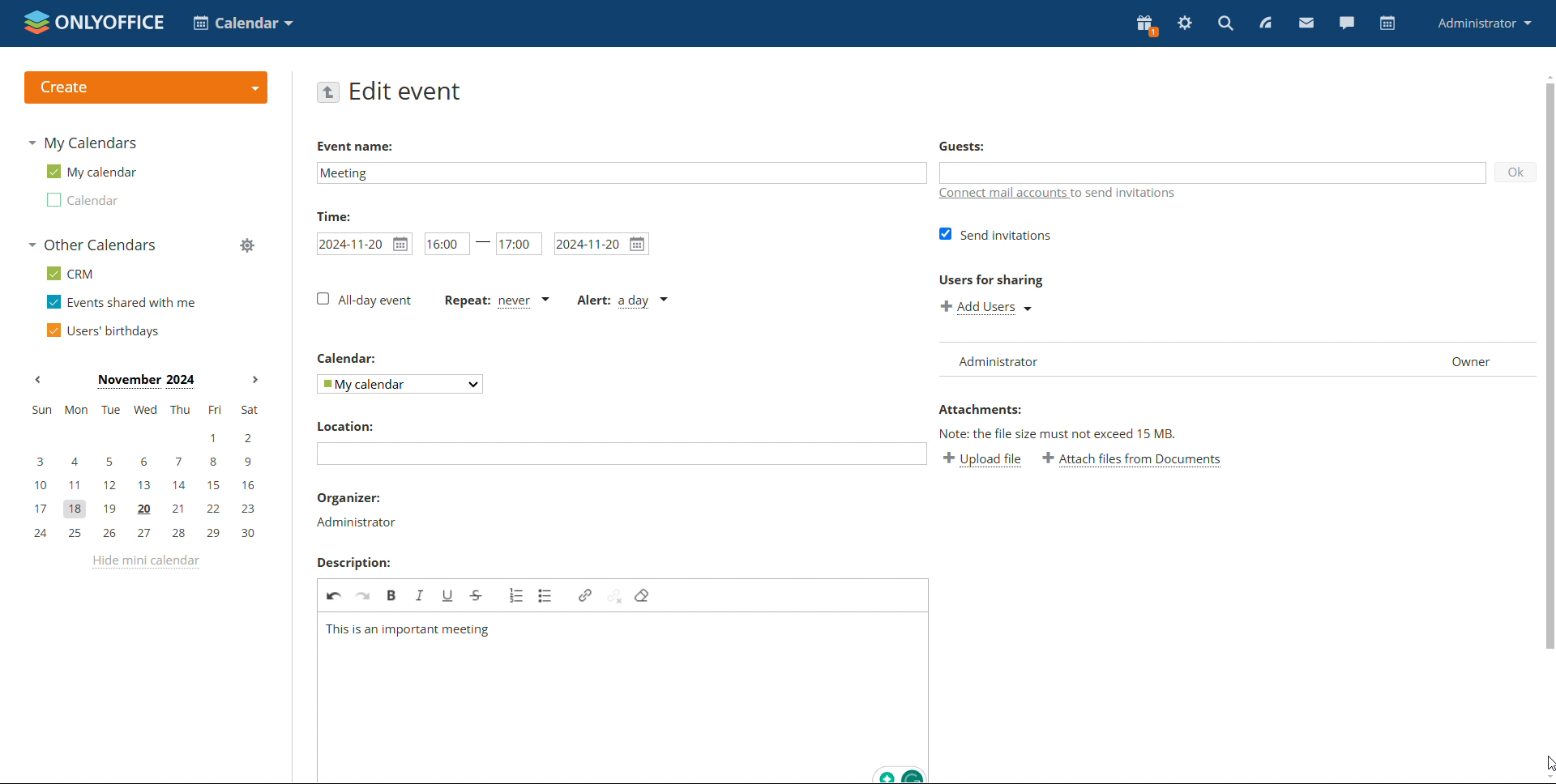  Describe the element at coordinates (448, 596) in the screenshot. I see `underline` at that location.